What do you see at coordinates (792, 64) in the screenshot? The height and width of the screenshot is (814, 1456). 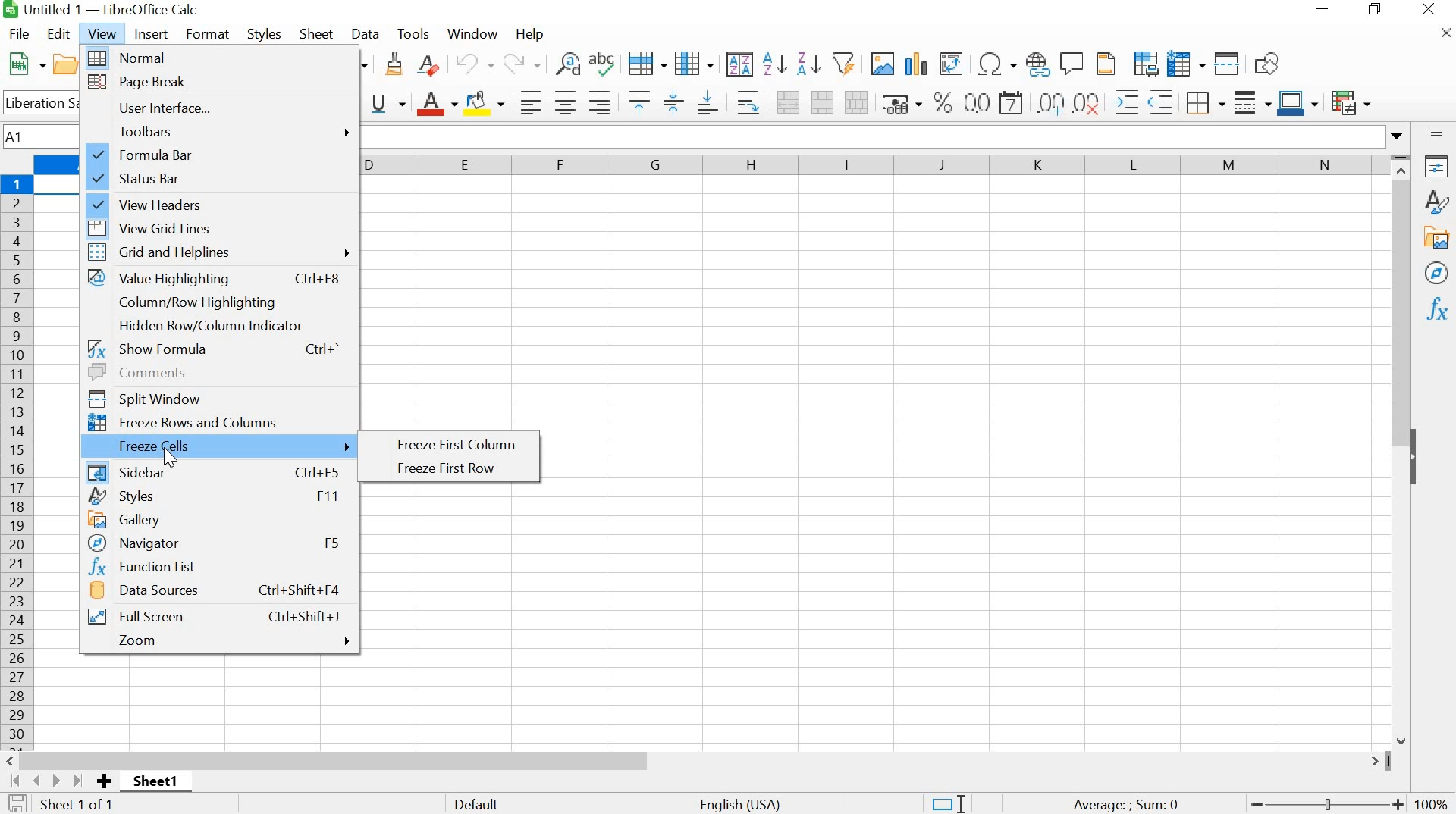 I see `SORT ASCENDING OR SORT DESCENDING` at bounding box center [792, 64].